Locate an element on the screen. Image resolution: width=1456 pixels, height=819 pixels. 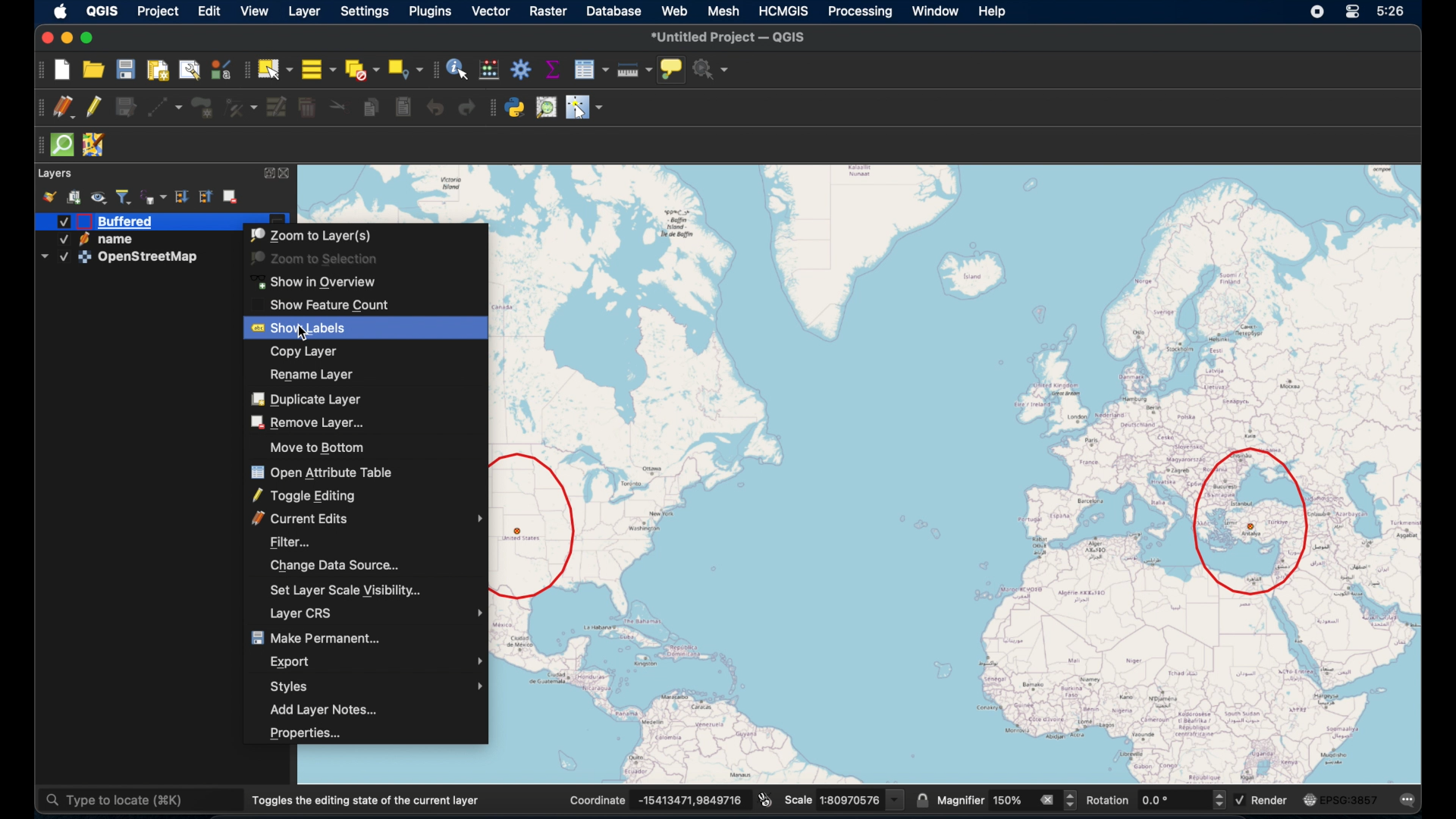
digitize with segment is located at coordinates (165, 108).